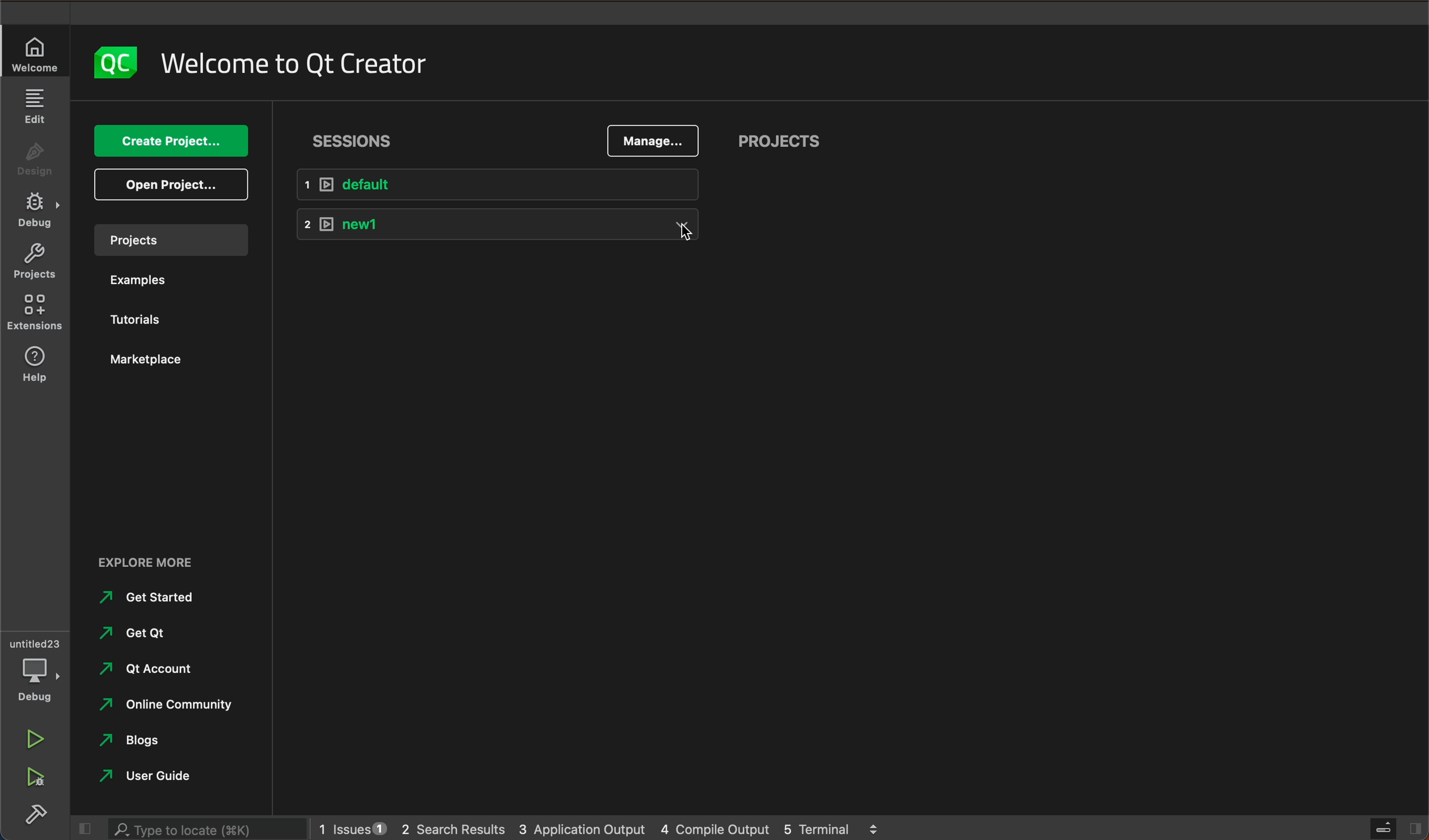 The image size is (1429, 840). I want to click on create , so click(170, 142).